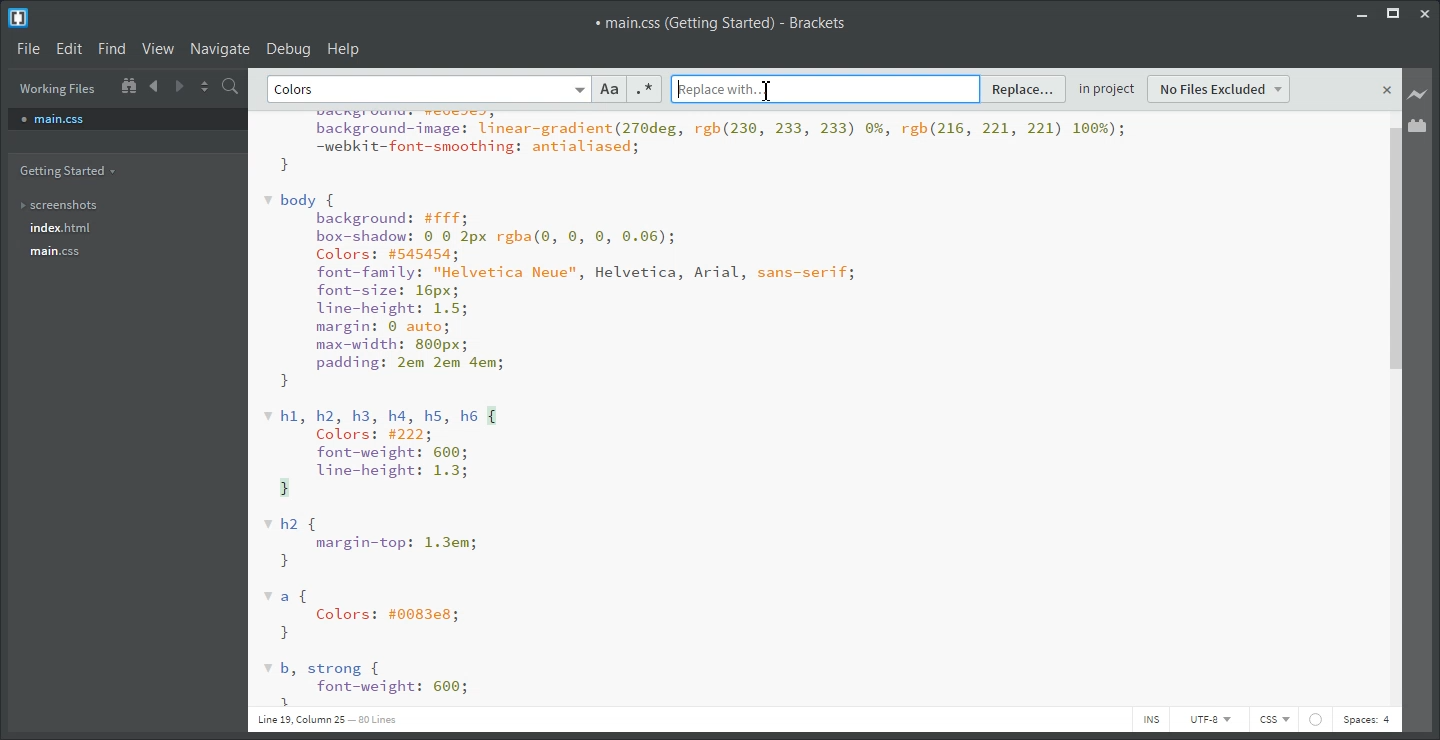 The width and height of the screenshot is (1440, 740). What do you see at coordinates (770, 90) in the screenshot?
I see `cursor` at bounding box center [770, 90].